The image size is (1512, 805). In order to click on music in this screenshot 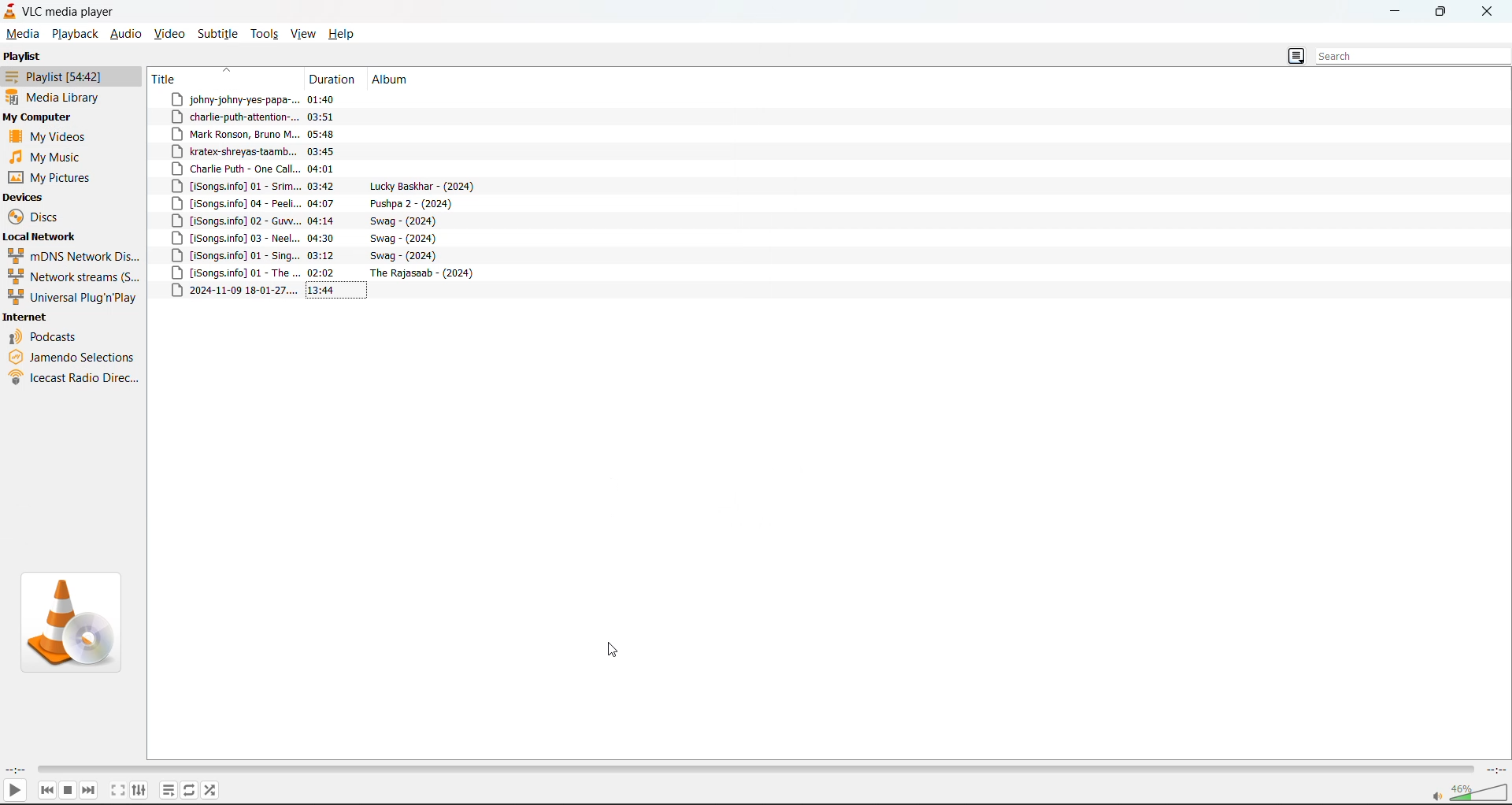, I will do `click(43, 156)`.